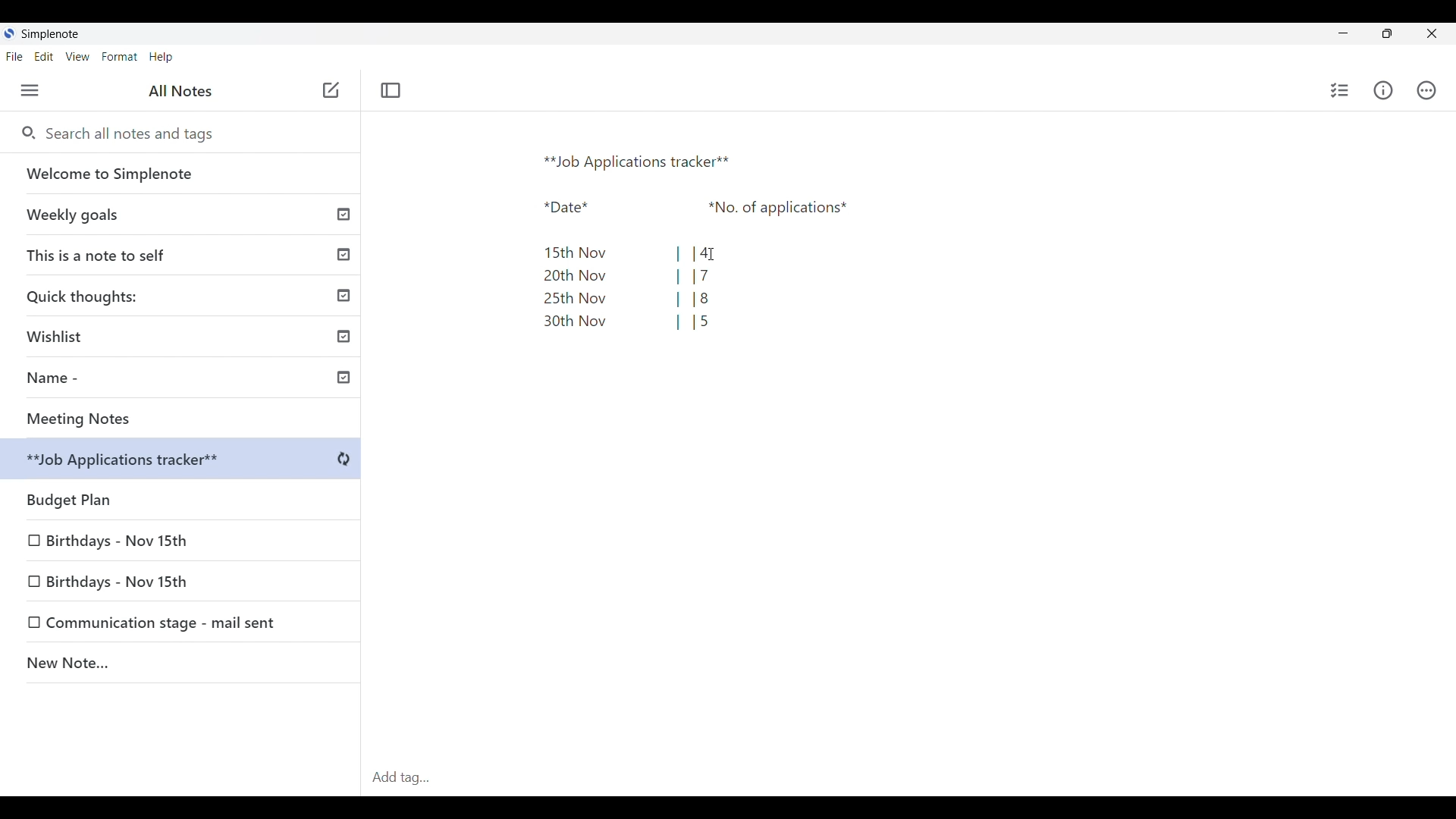 The height and width of the screenshot is (819, 1456). What do you see at coordinates (186, 419) in the screenshot?
I see `Meeting Notes` at bounding box center [186, 419].